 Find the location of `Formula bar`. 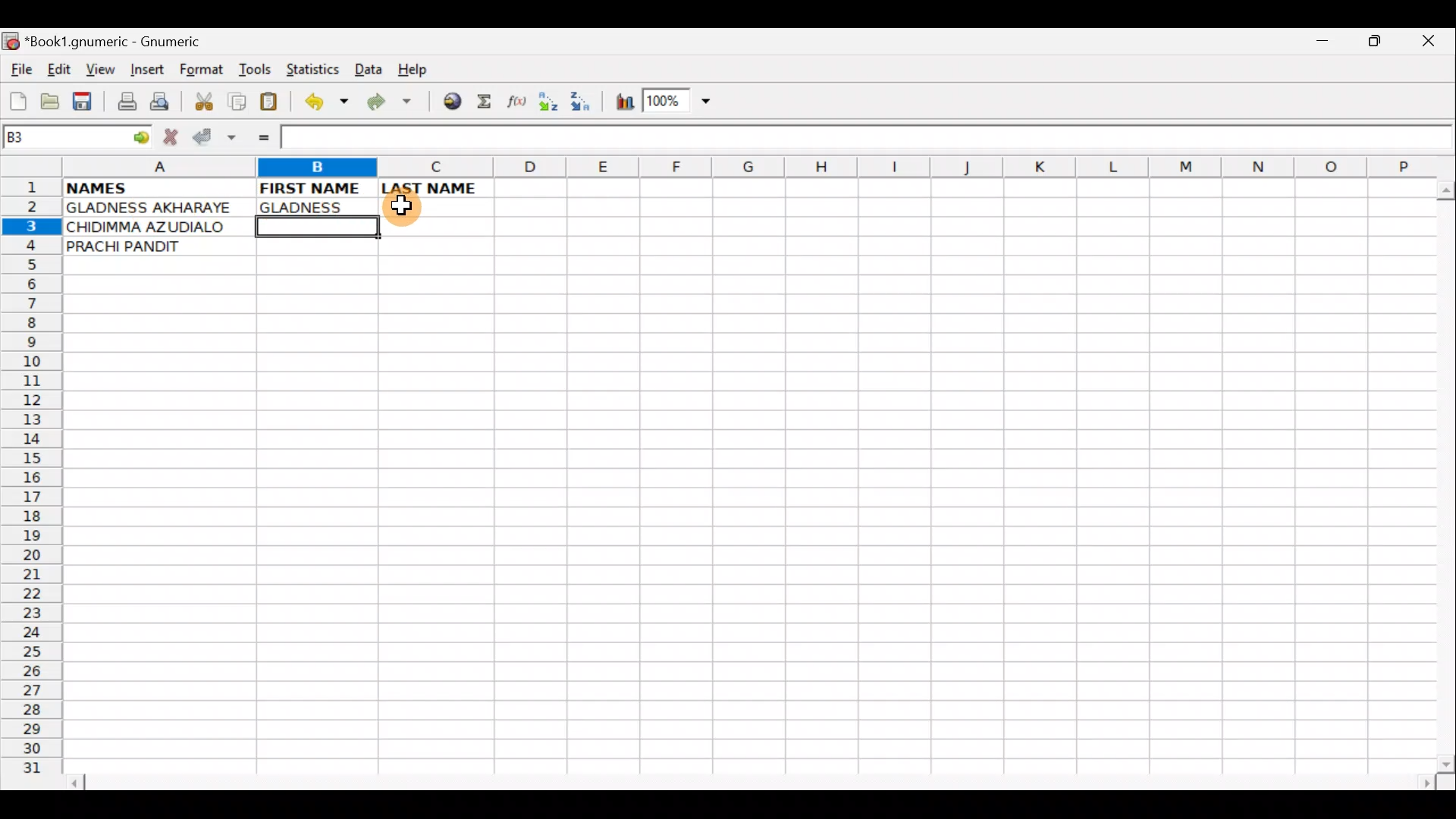

Formula bar is located at coordinates (864, 138).